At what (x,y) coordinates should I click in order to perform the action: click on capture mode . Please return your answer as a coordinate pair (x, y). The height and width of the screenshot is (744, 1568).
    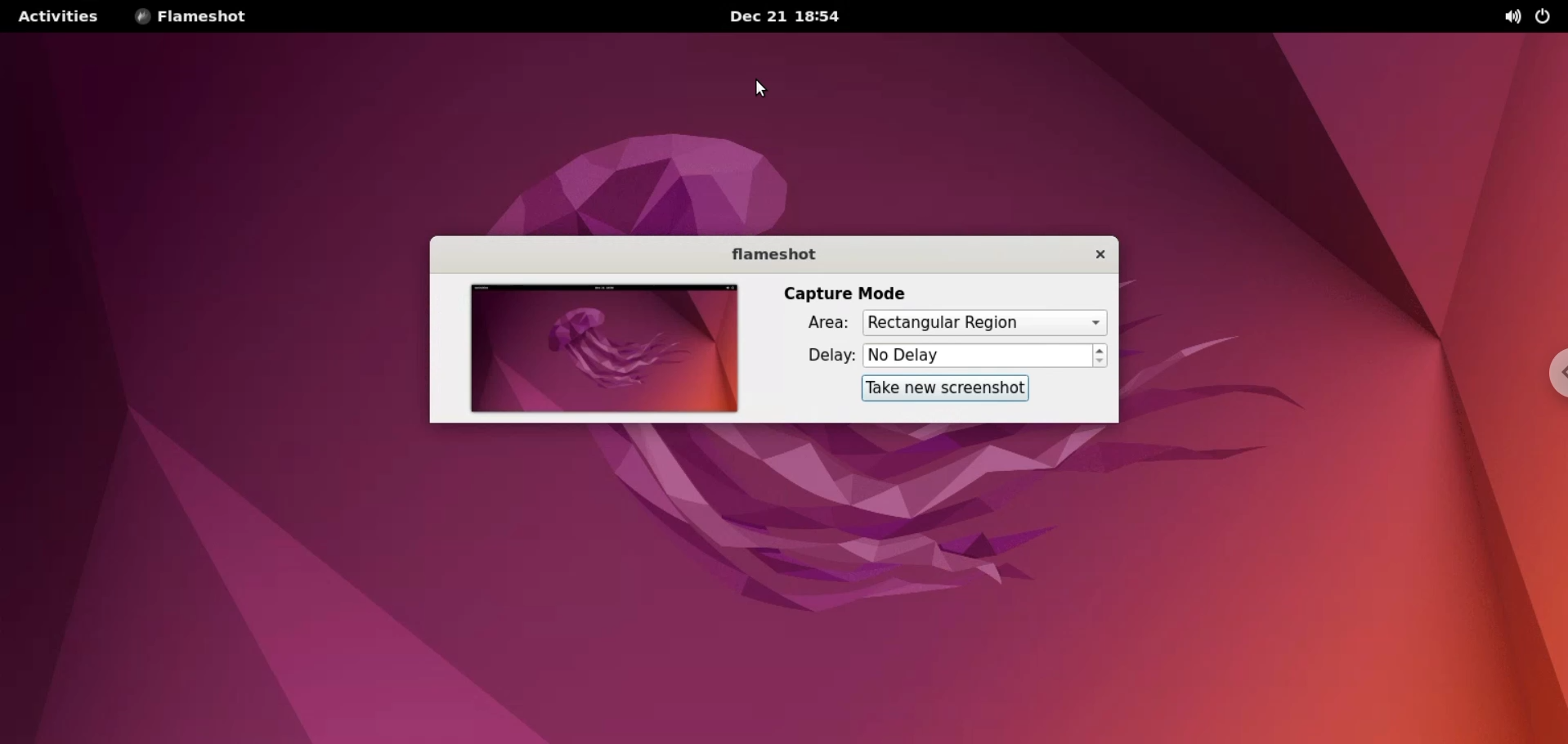
    Looking at the image, I should click on (847, 292).